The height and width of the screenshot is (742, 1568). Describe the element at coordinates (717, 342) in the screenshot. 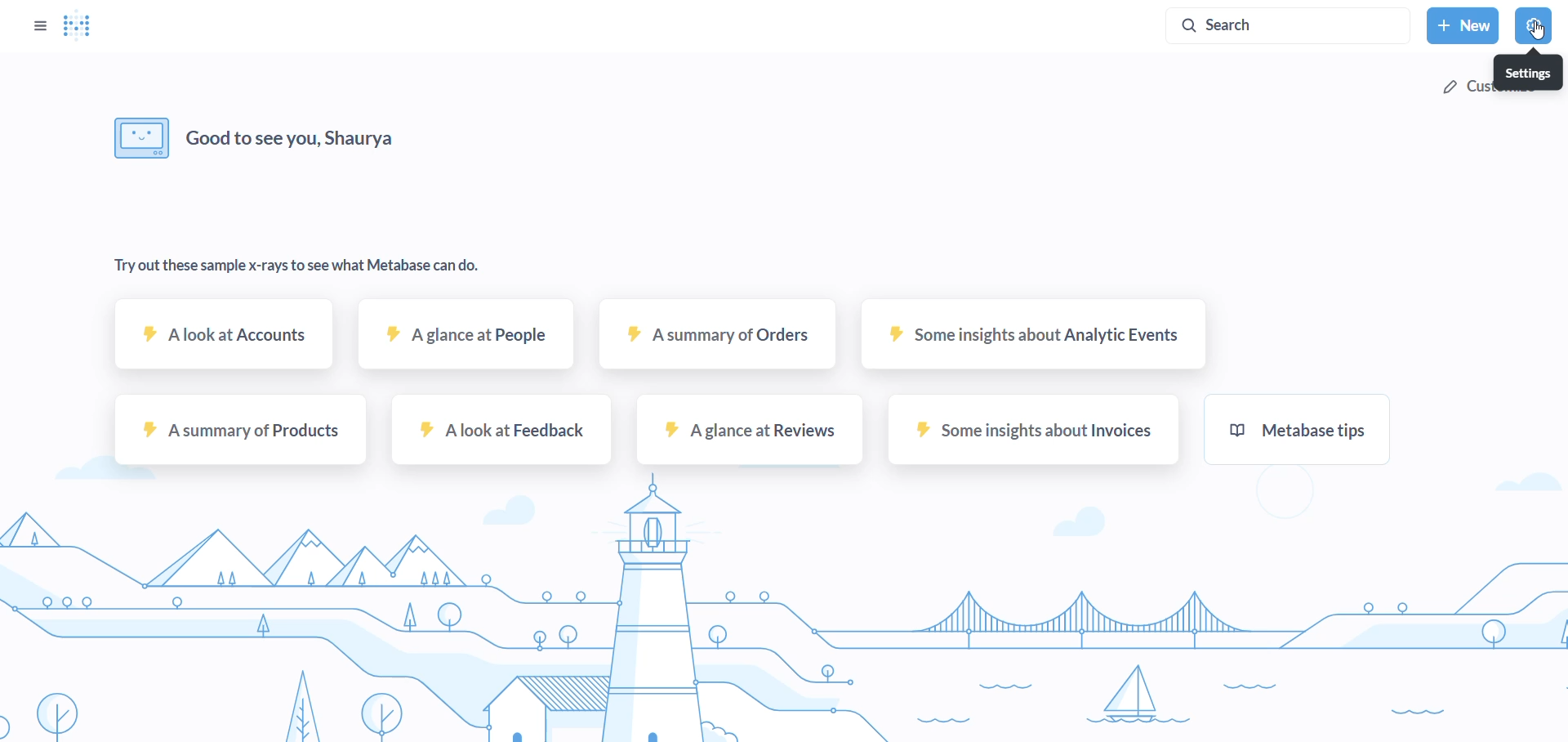

I see `A summary of Orders sample` at that location.